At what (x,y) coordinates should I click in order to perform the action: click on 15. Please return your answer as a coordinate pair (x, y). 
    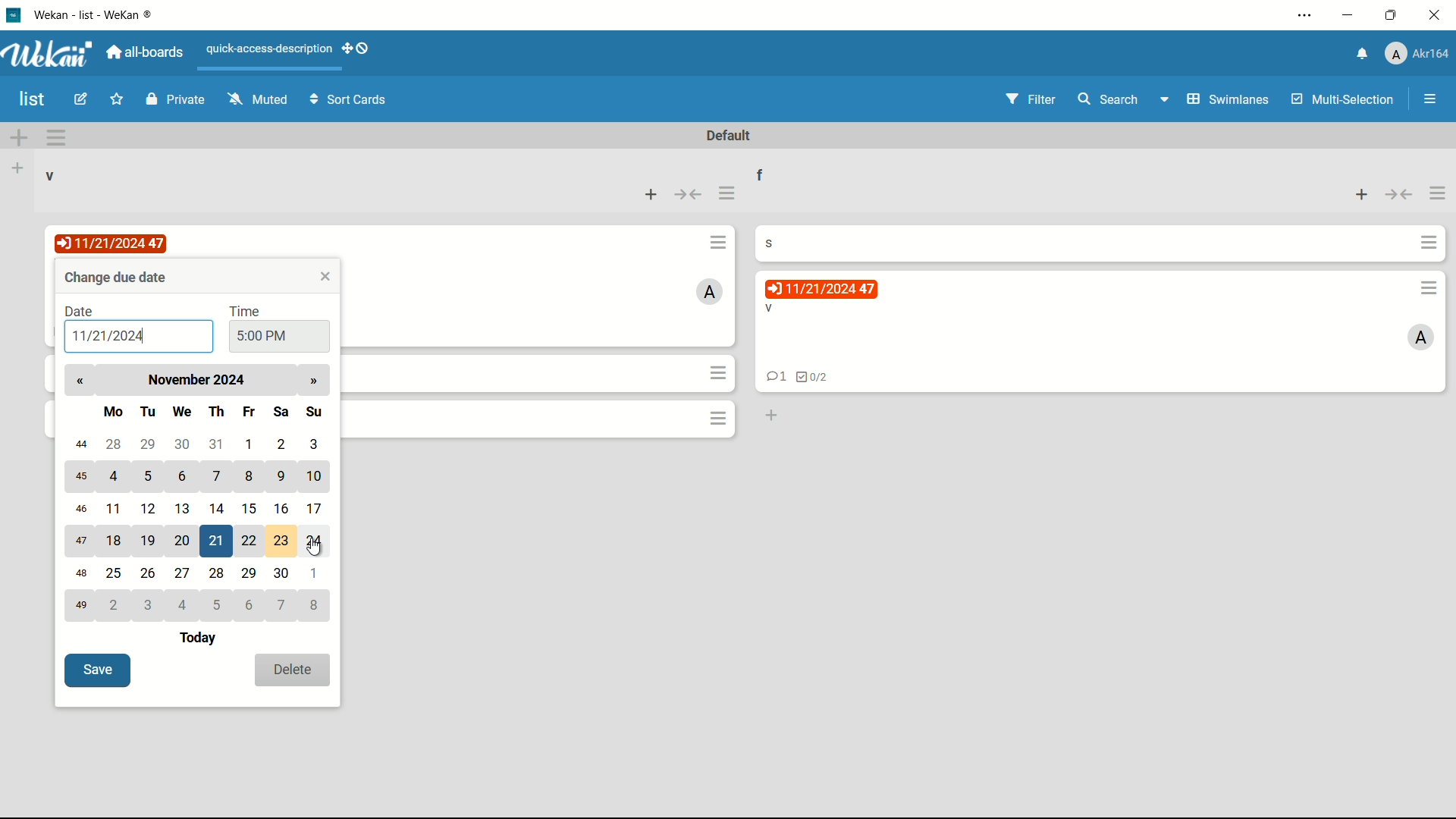
    Looking at the image, I should click on (248, 507).